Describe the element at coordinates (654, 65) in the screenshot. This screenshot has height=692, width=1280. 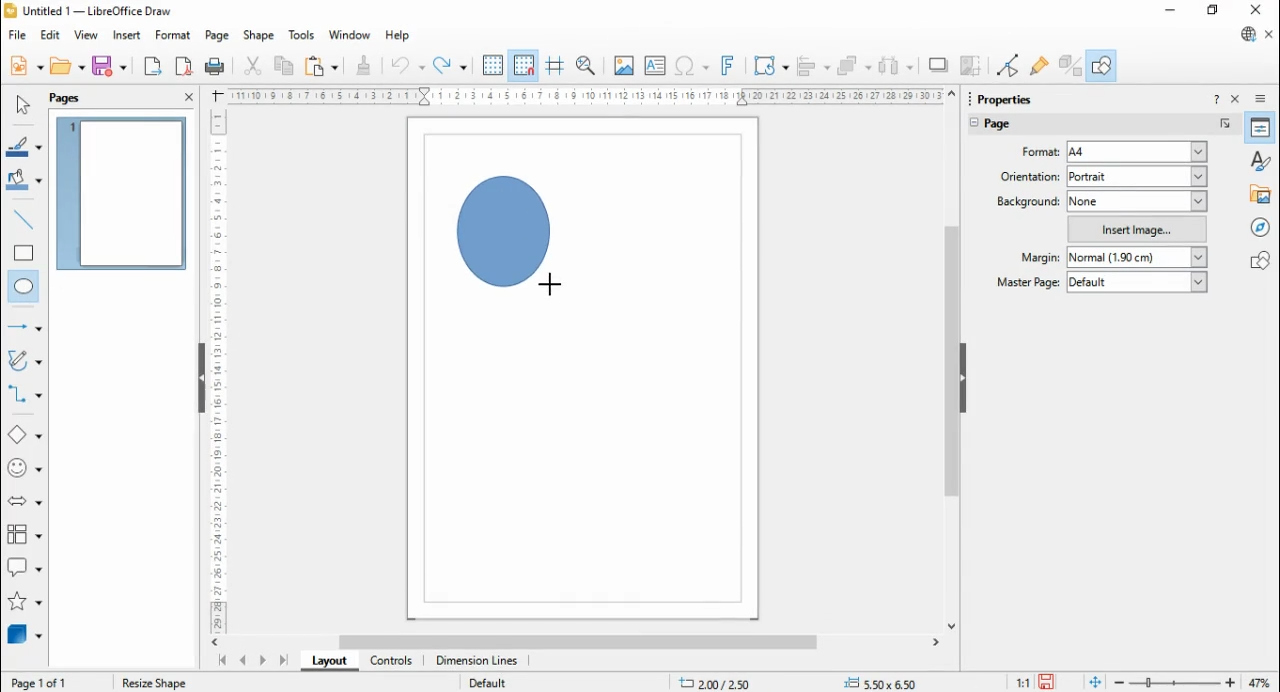
I see `insert text box` at that location.